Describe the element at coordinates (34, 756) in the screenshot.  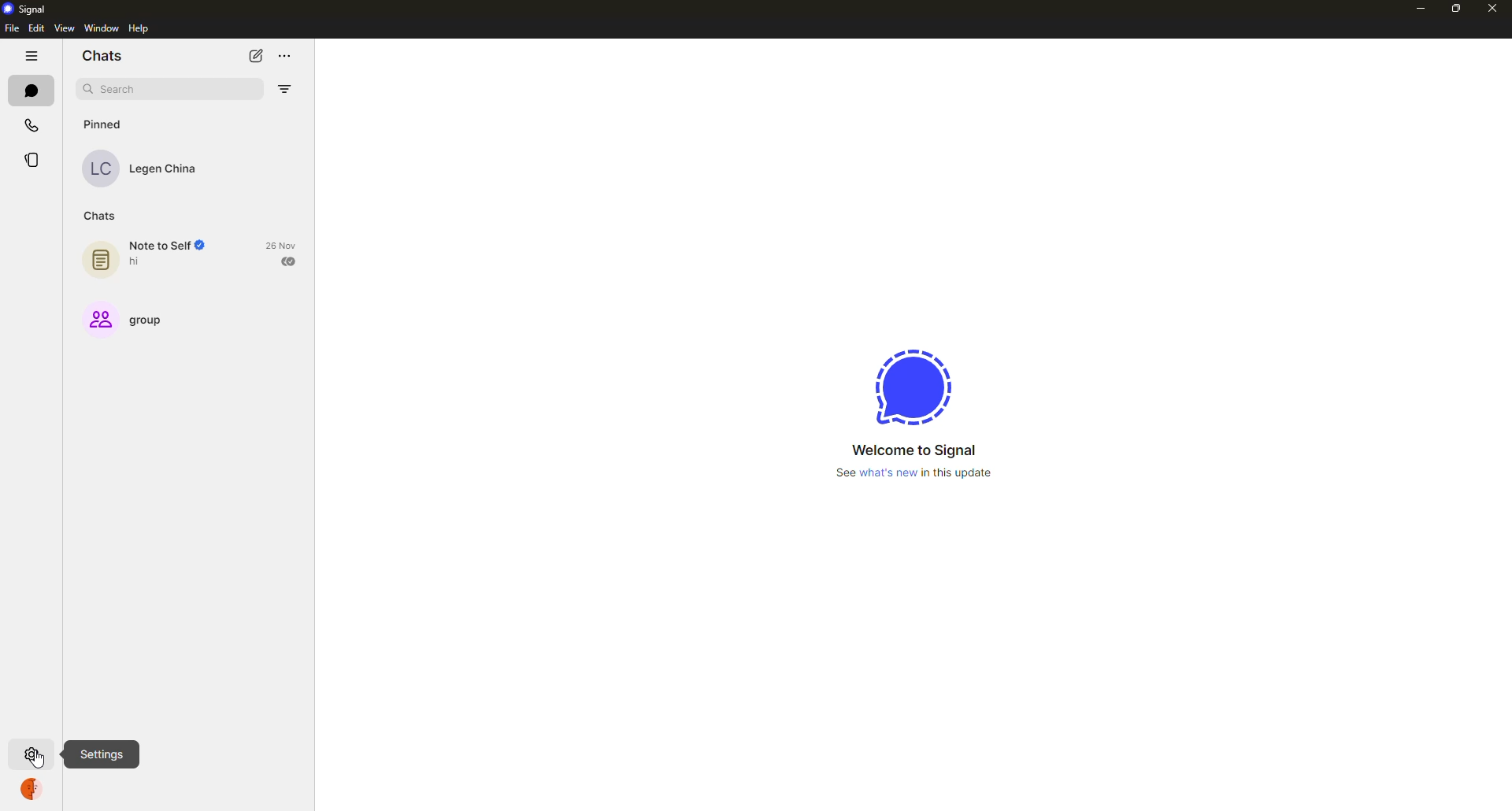
I see `settings` at that location.